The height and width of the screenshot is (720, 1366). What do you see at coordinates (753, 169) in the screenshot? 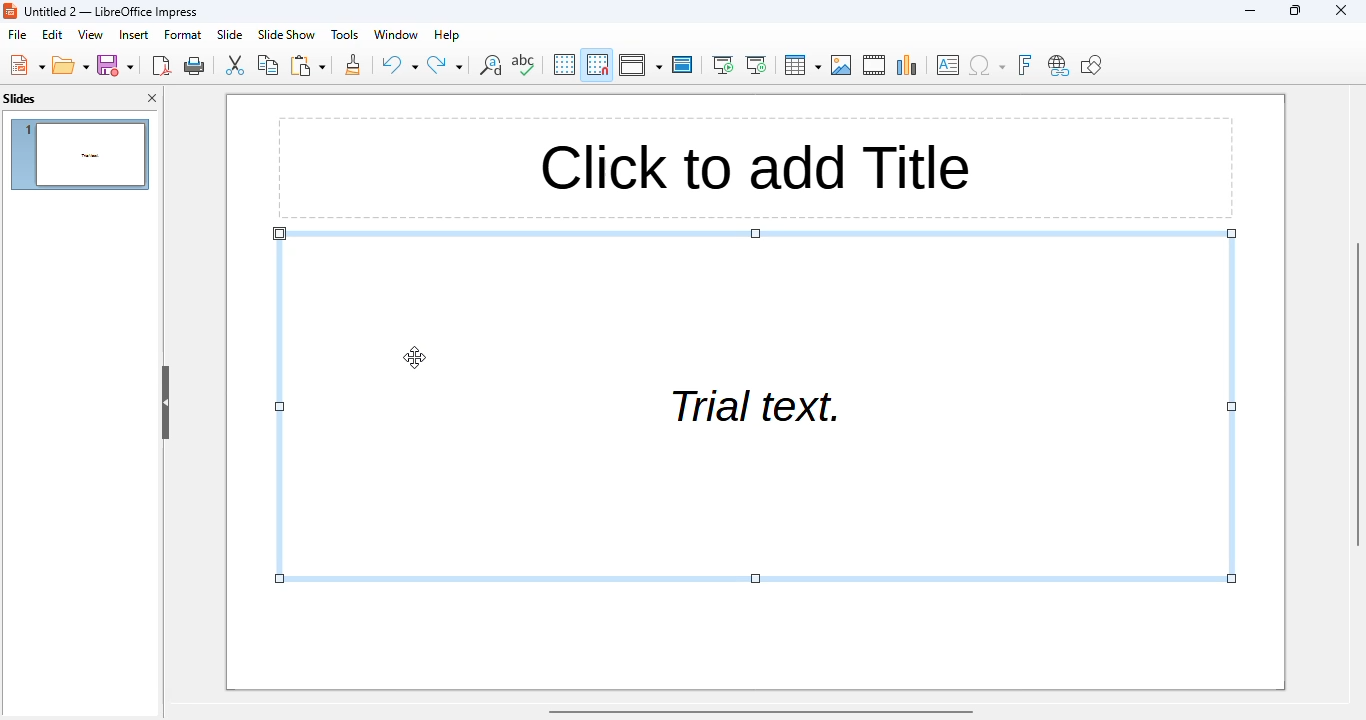
I see `Click to add title` at bounding box center [753, 169].